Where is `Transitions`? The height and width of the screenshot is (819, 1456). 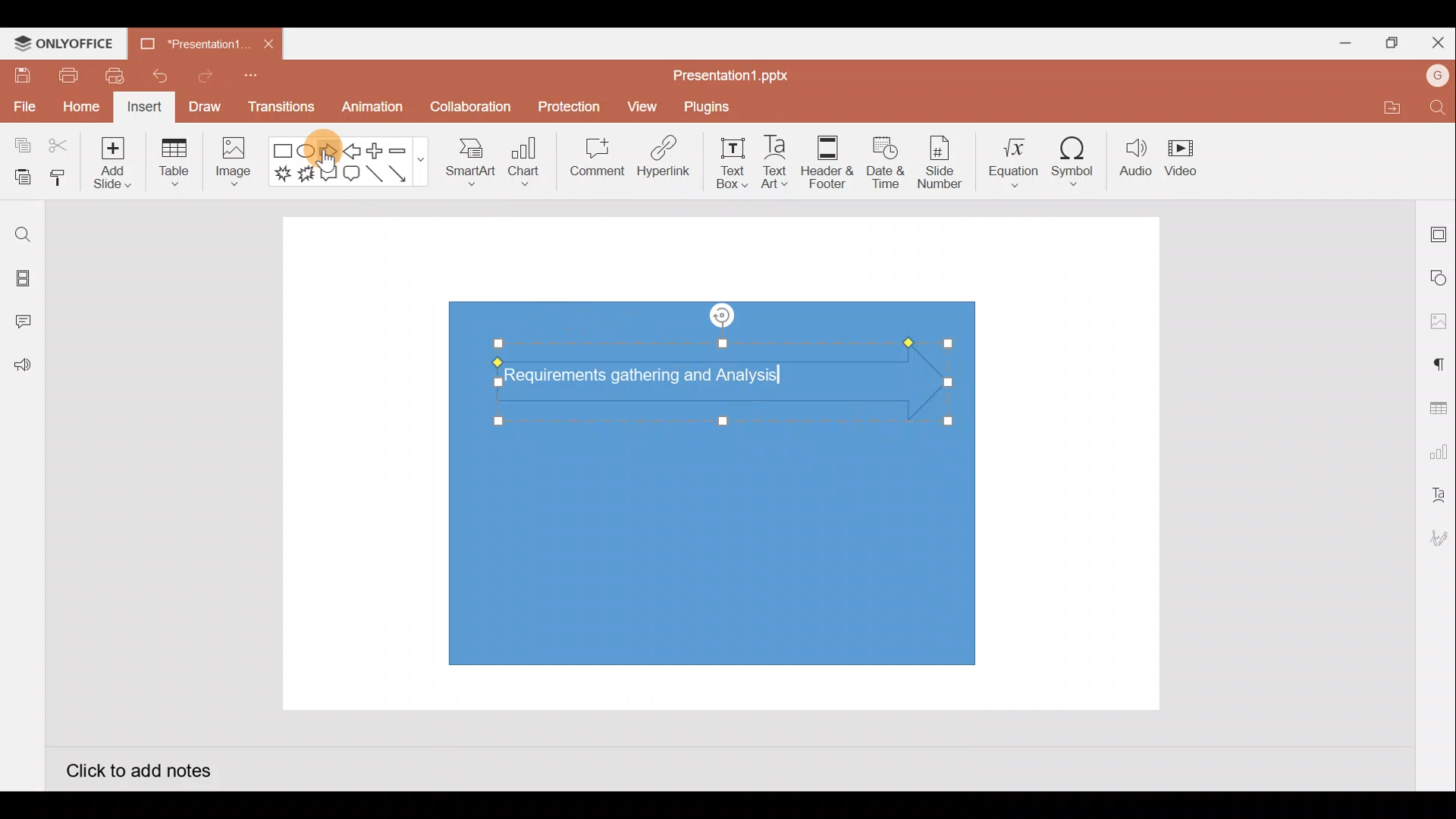
Transitions is located at coordinates (282, 111).